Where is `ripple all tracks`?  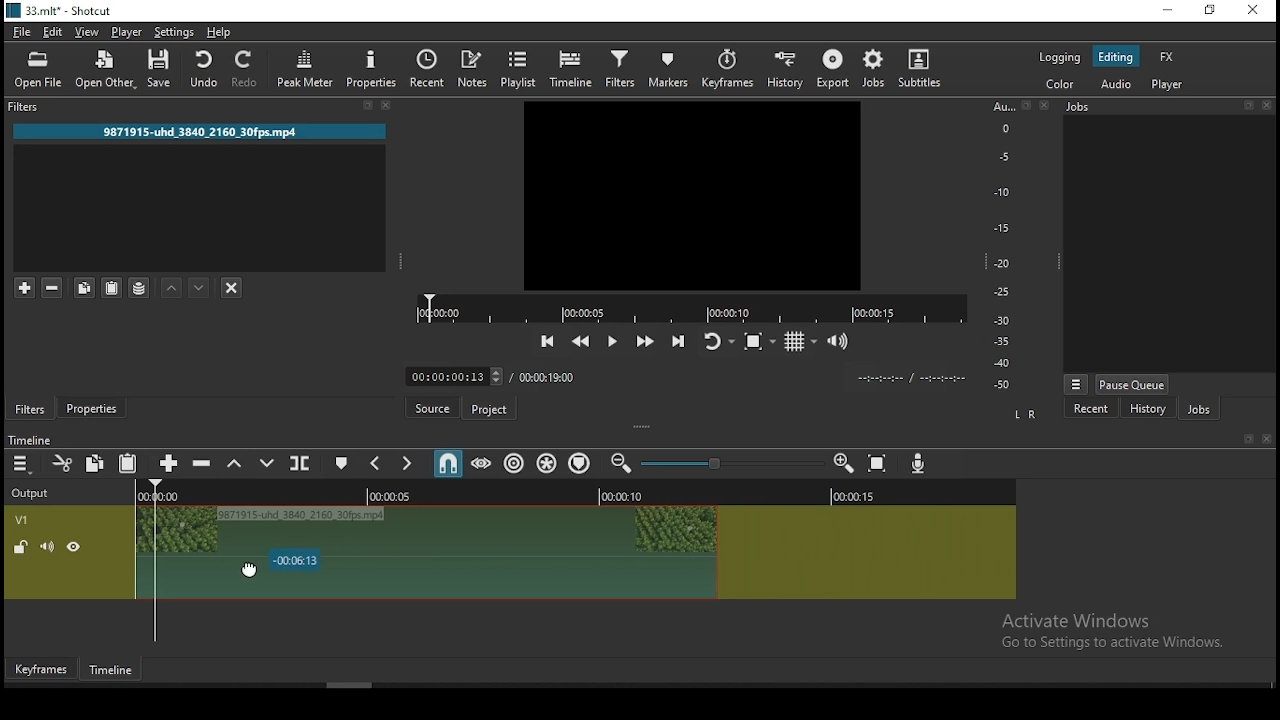 ripple all tracks is located at coordinates (550, 462).